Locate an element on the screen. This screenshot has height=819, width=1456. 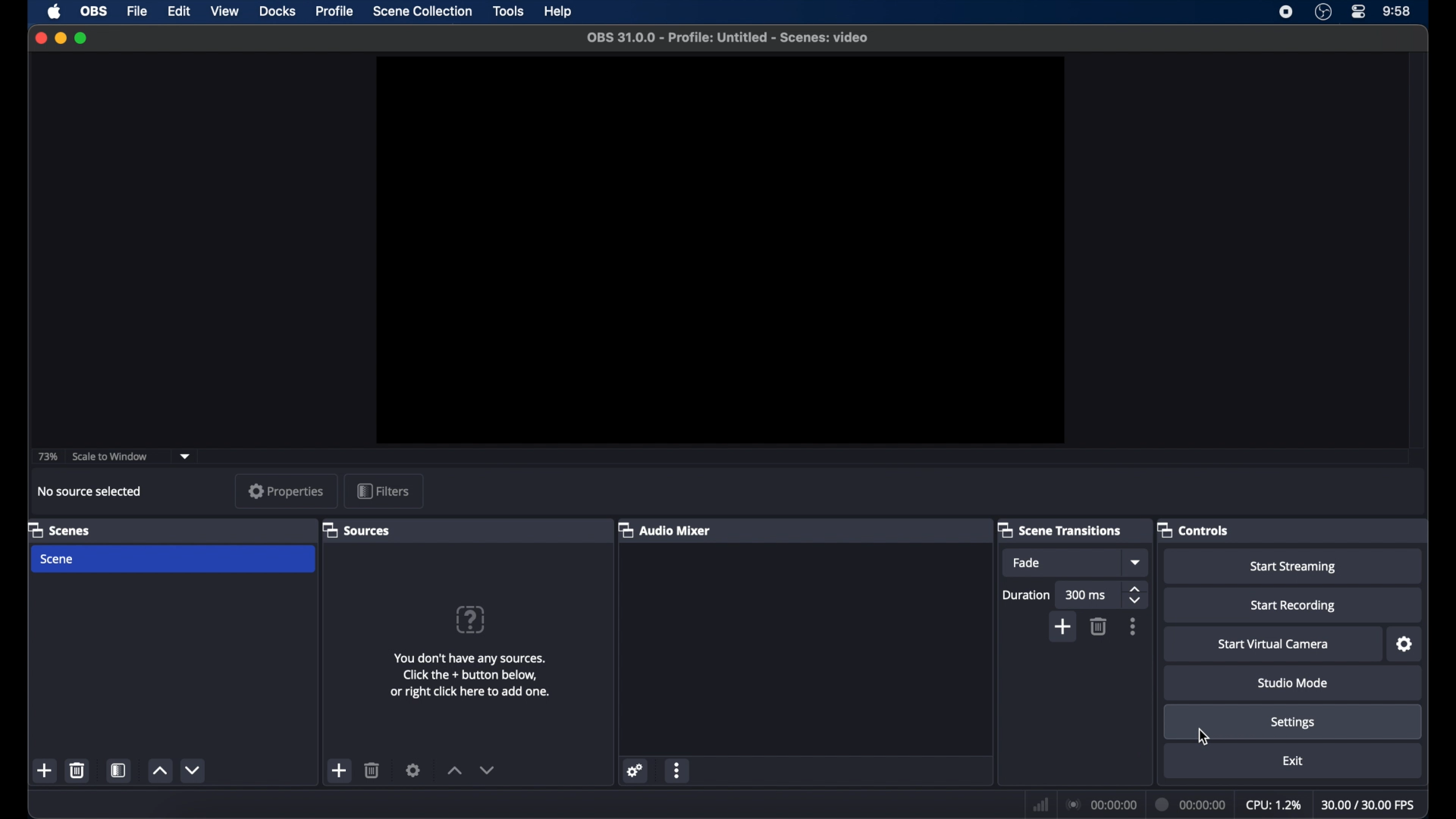
exit is located at coordinates (1292, 761).